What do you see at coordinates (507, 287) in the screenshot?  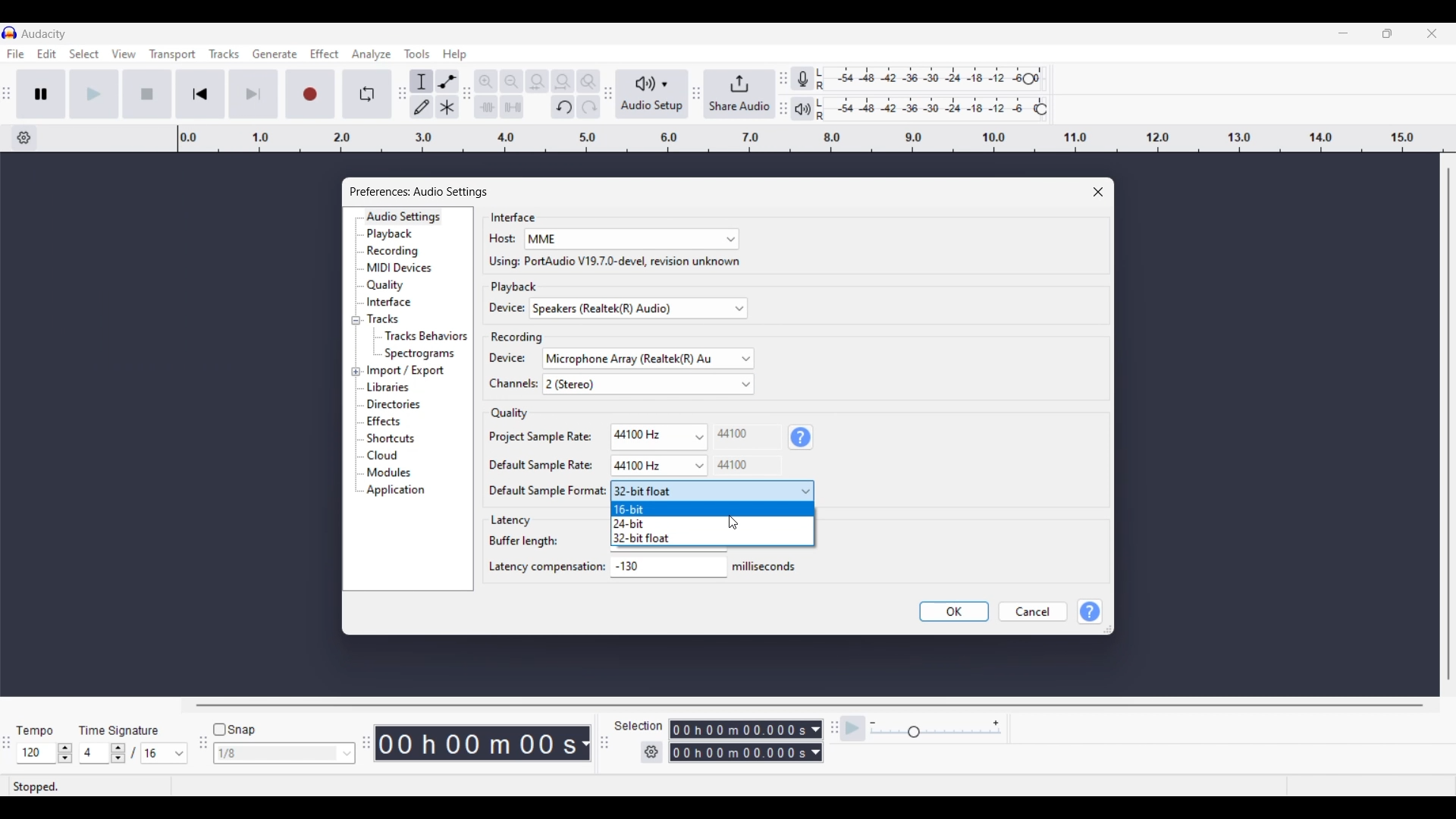 I see `| Playback` at bounding box center [507, 287].